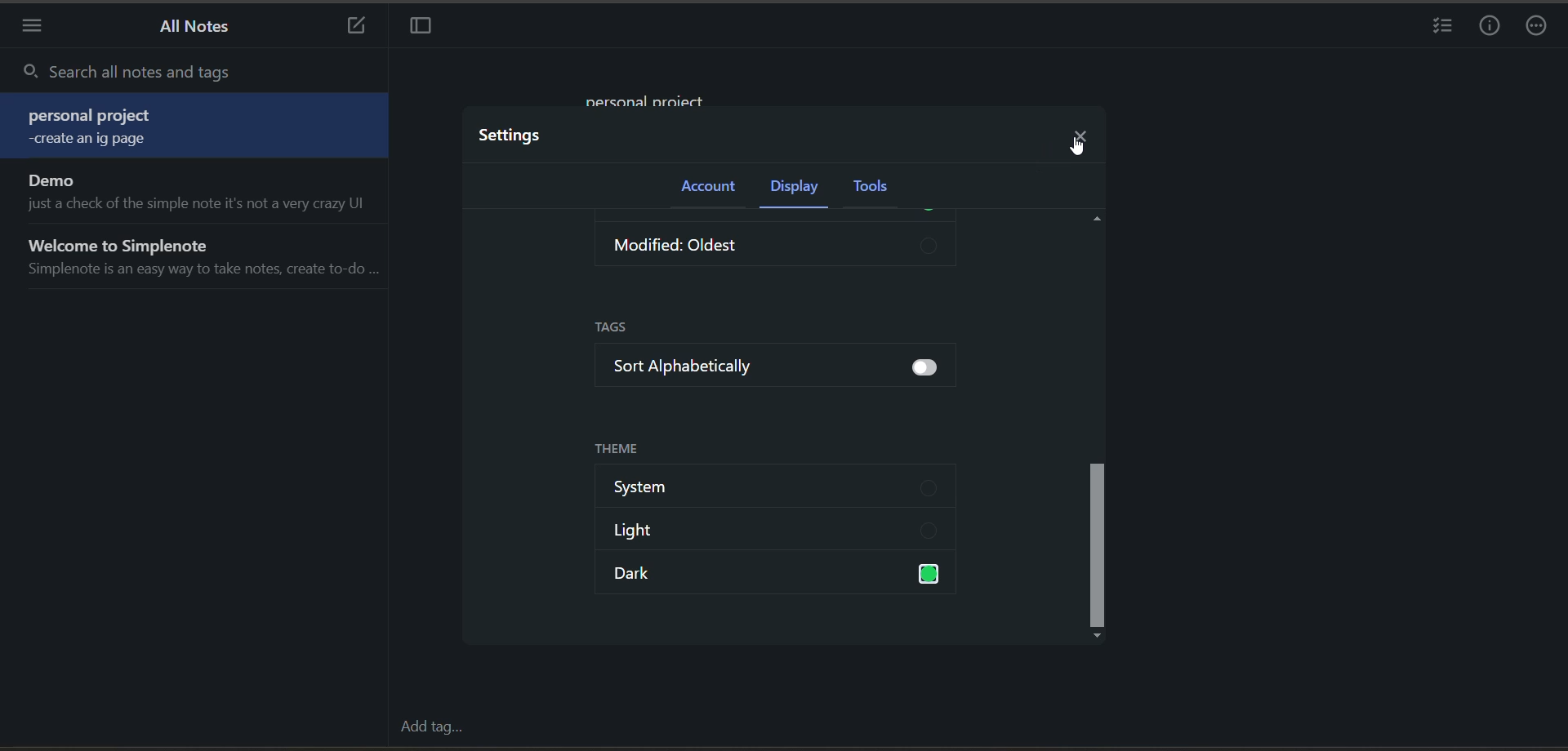 This screenshot has width=1568, height=751. What do you see at coordinates (620, 327) in the screenshot?
I see `tags` at bounding box center [620, 327].